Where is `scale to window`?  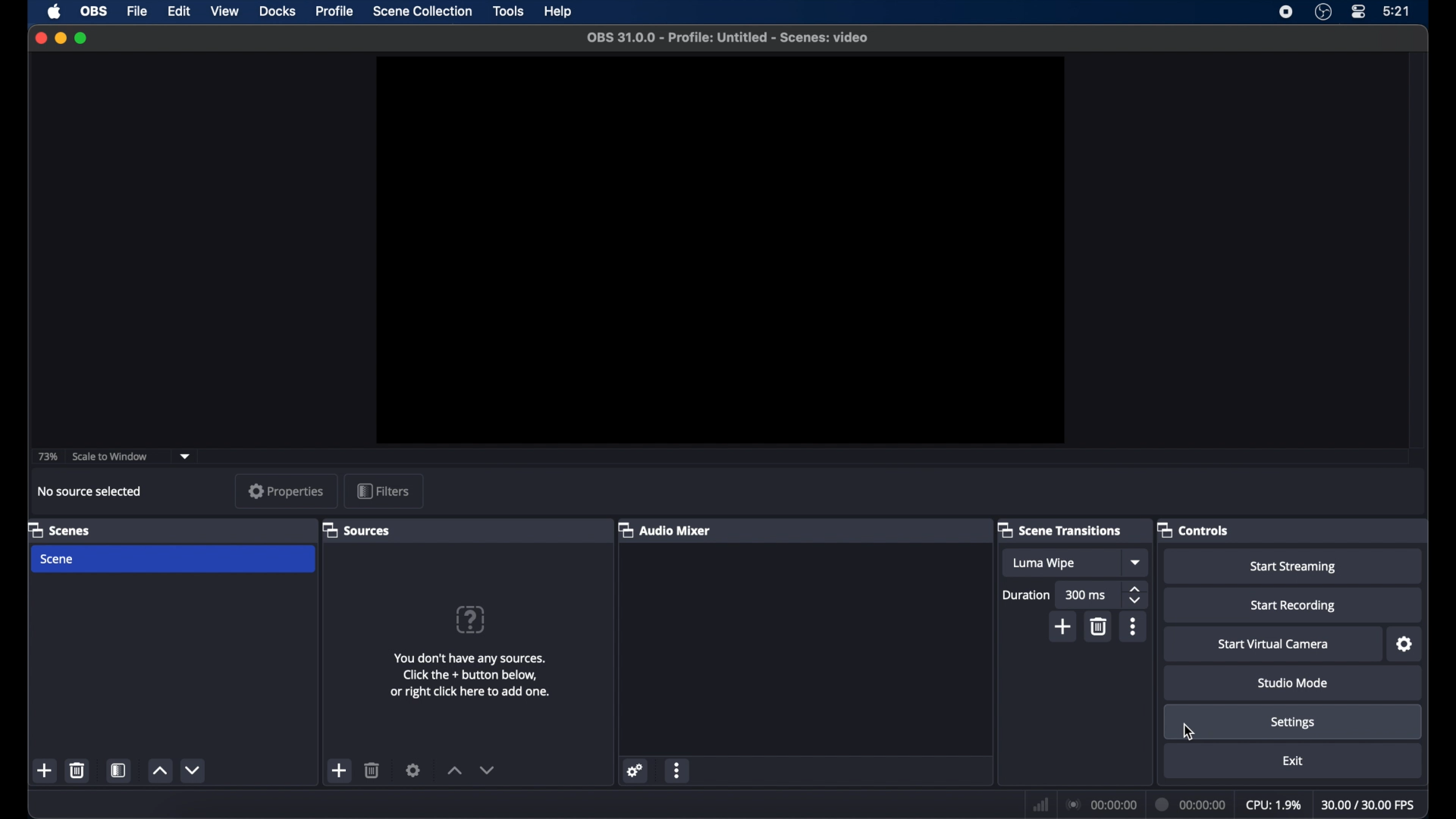 scale to window is located at coordinates (111, 457).